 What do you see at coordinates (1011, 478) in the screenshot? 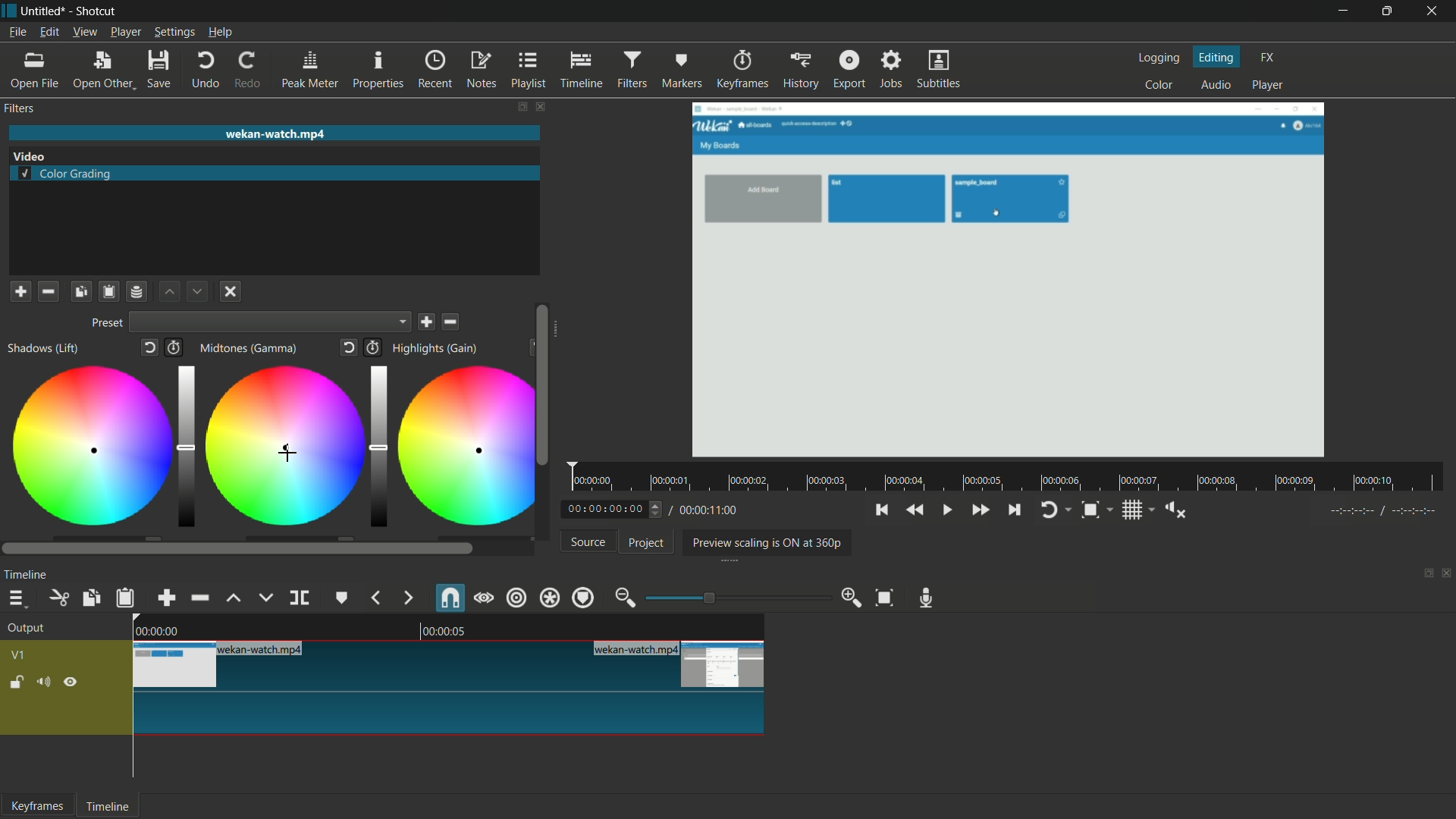
I see `time` at bounding box center [1011, 478].